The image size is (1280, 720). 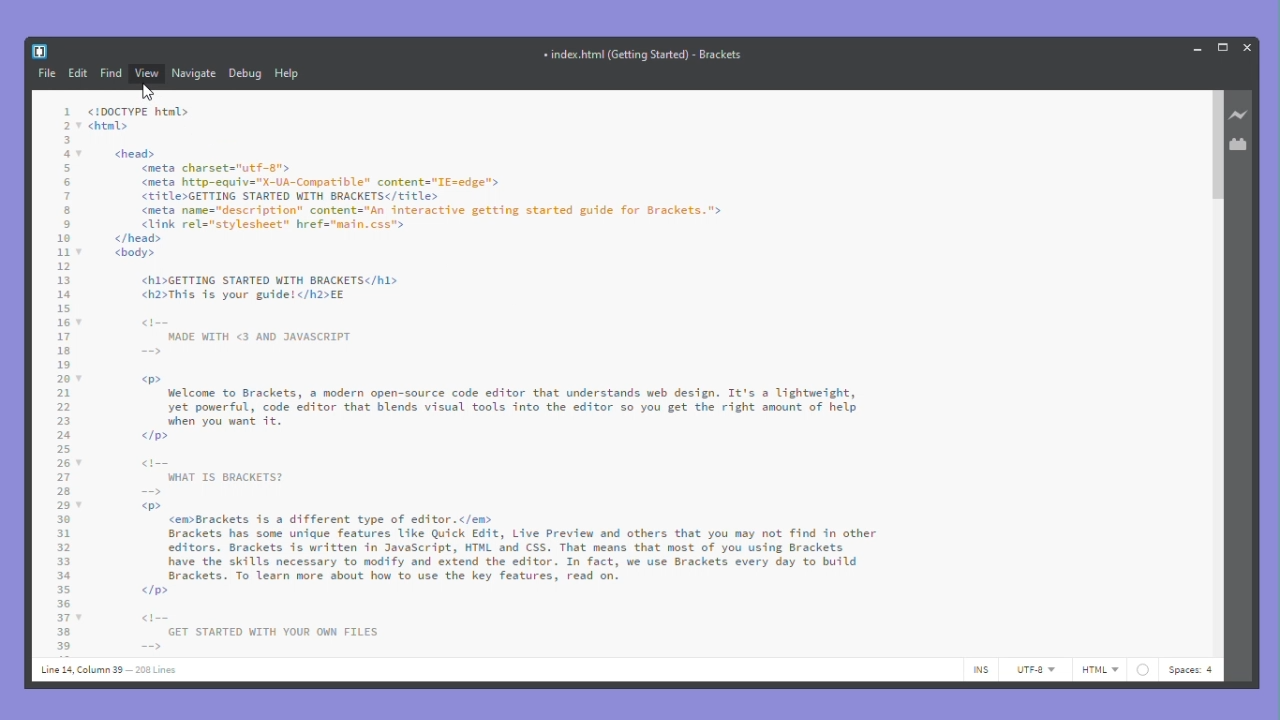 I want to click on 15, so click(x=64, y=309).